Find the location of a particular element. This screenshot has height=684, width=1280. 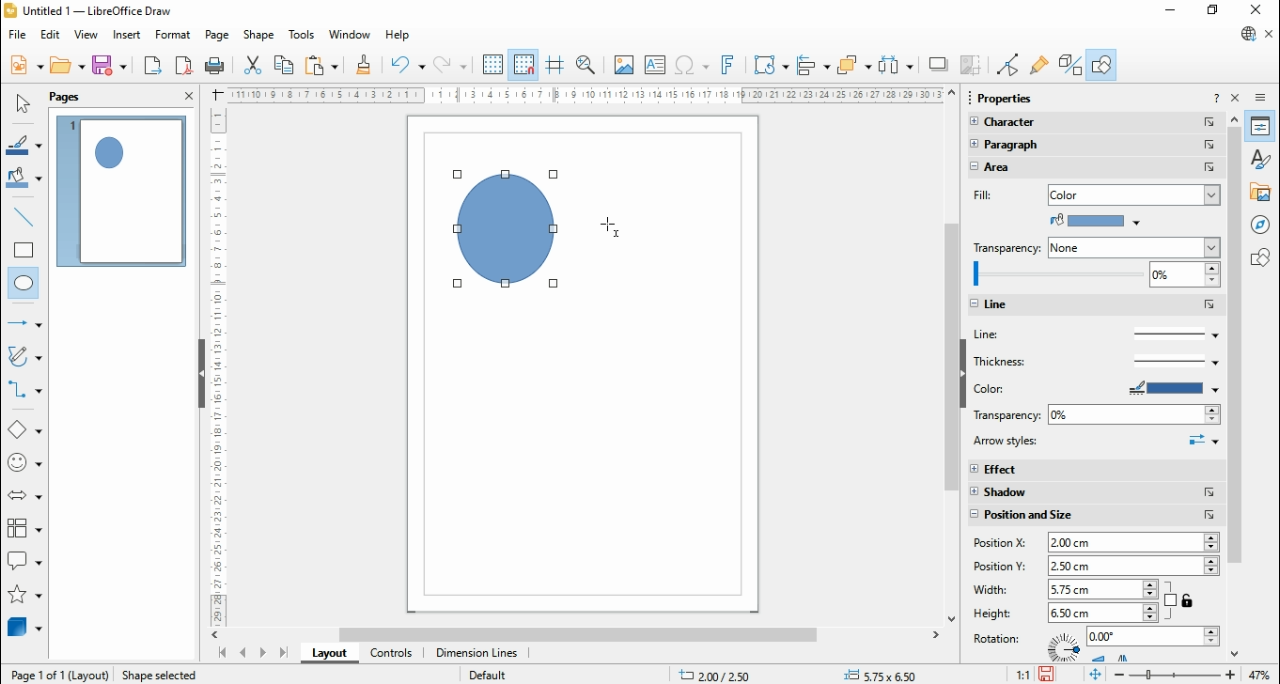

toggle extrusions is located at coordinates (1070, 64).